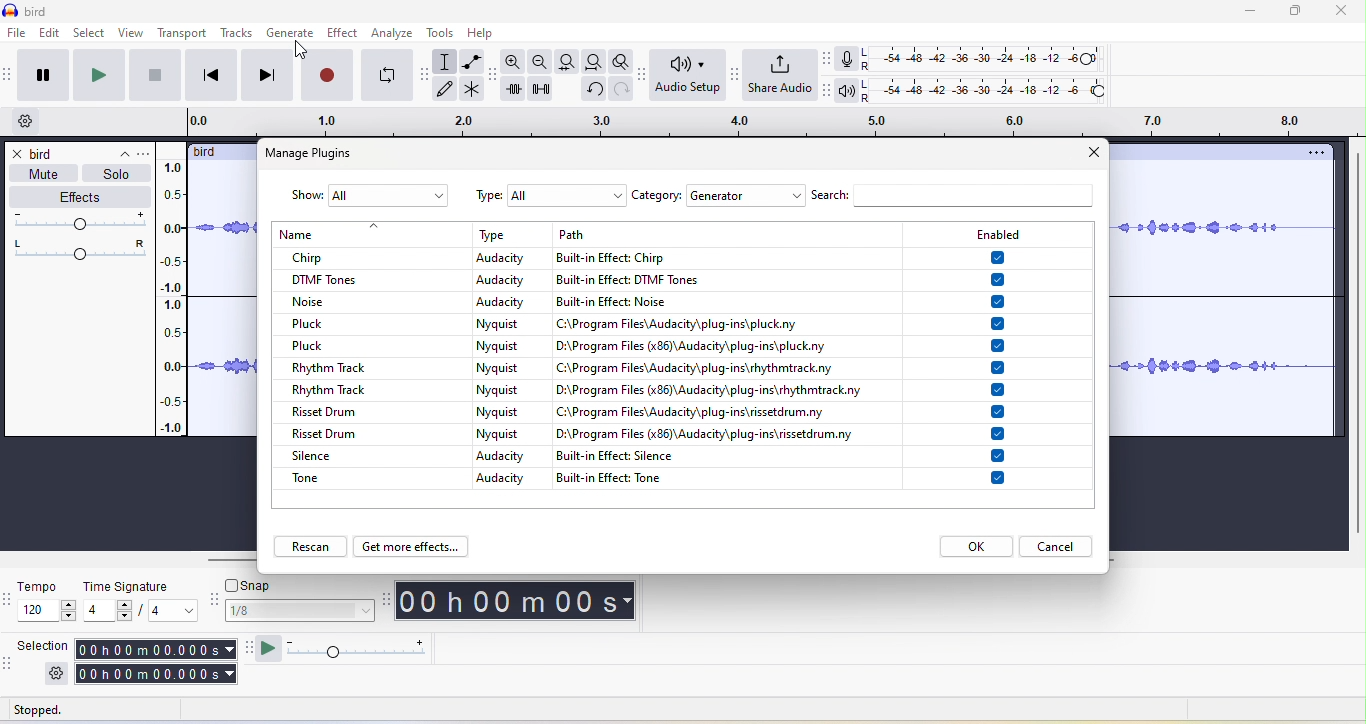 The height and width of the screenshot is (724, 1366). Describe the element at coordinates (731, 79) in the screenshot. I see `audacity share audio toolbar` at that location.